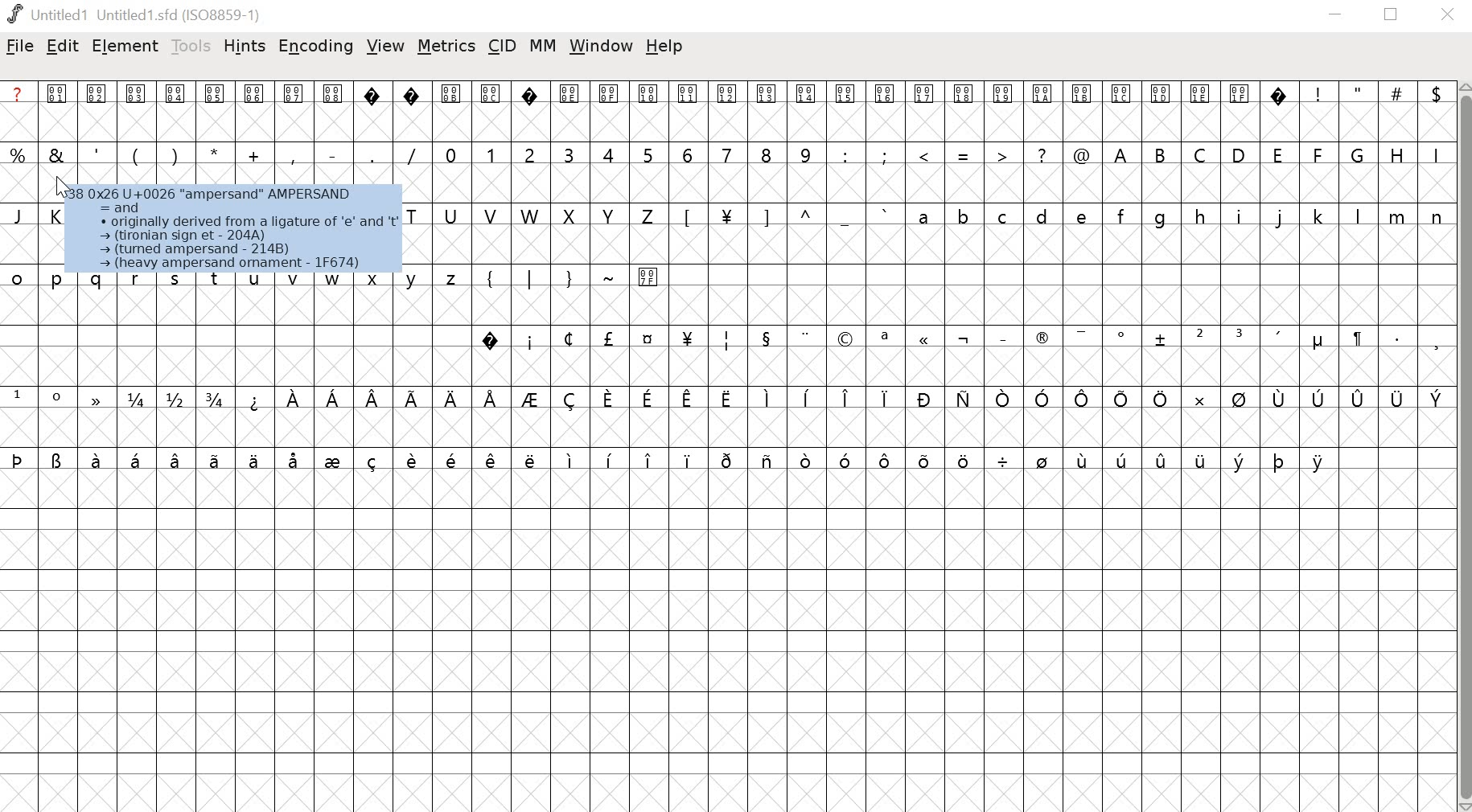  Describe the element at coordinates (1161, 398) in the screenshot. I see `symbol` at that location.